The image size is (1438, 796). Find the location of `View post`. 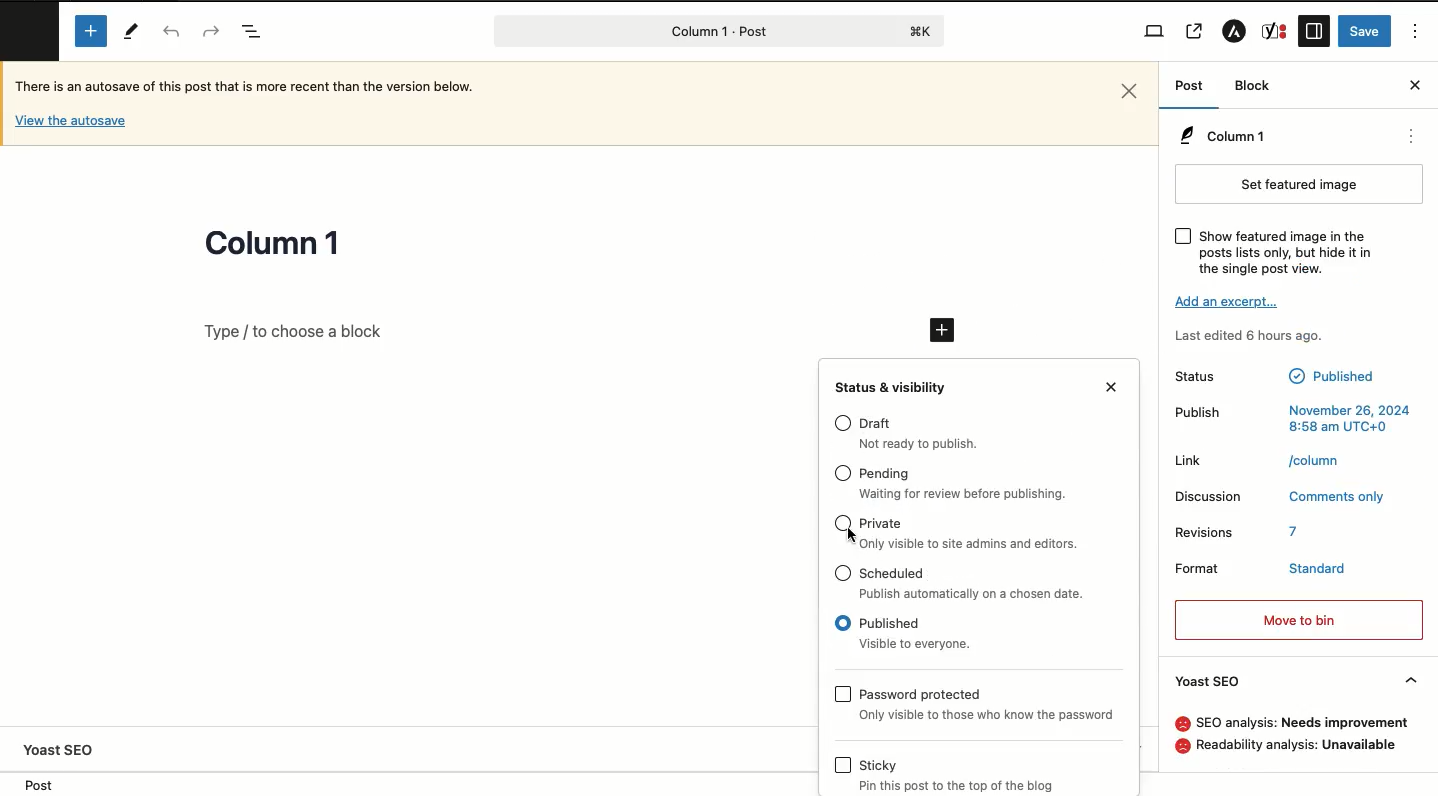

View post is located at coordinates (1195, 33).